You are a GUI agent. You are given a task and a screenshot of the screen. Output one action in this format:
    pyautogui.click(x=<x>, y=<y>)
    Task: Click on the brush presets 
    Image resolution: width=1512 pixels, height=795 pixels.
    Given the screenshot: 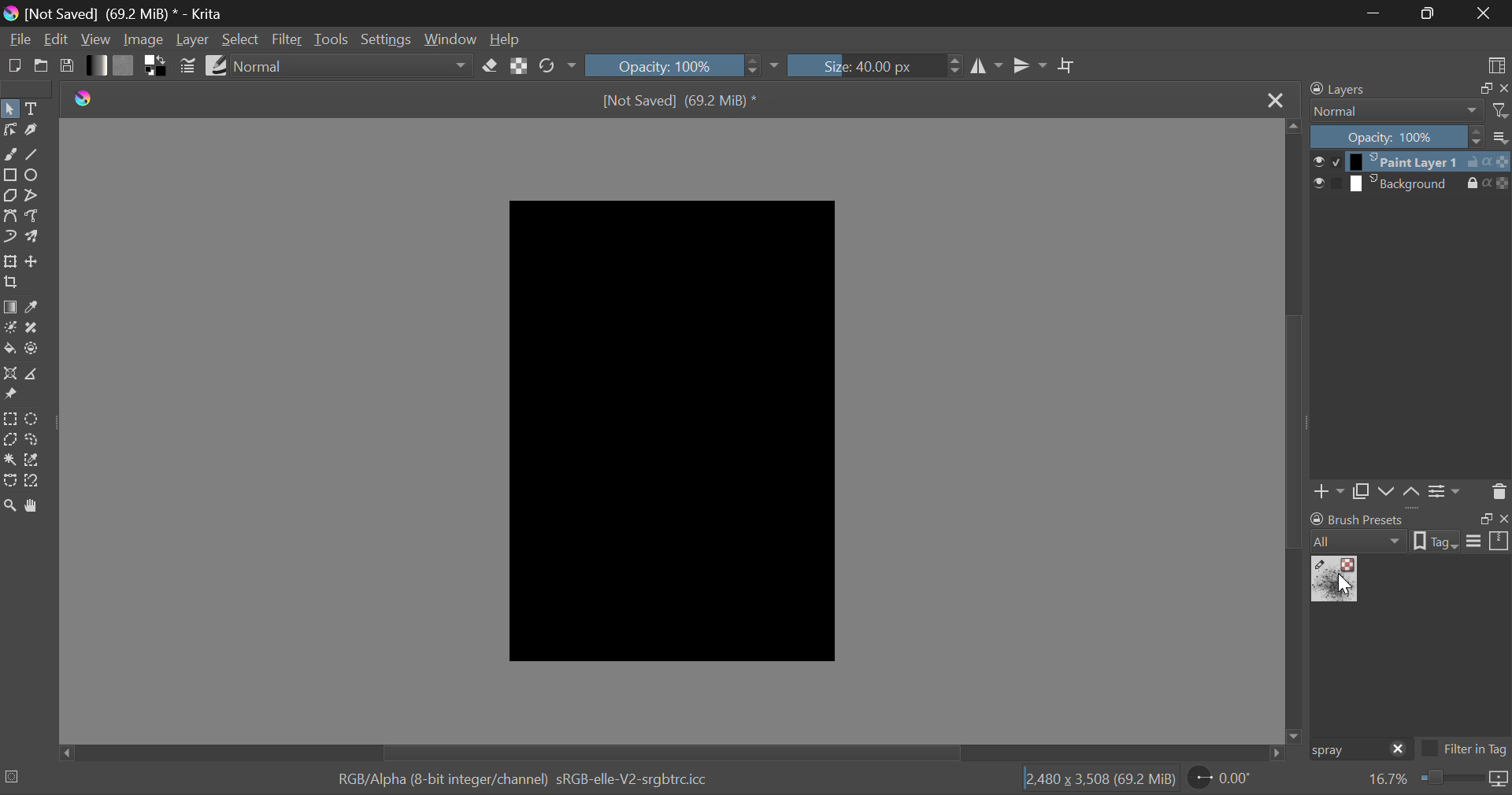 What is the action you would take?
    pyautogui.click(x=1358, y=519)
    